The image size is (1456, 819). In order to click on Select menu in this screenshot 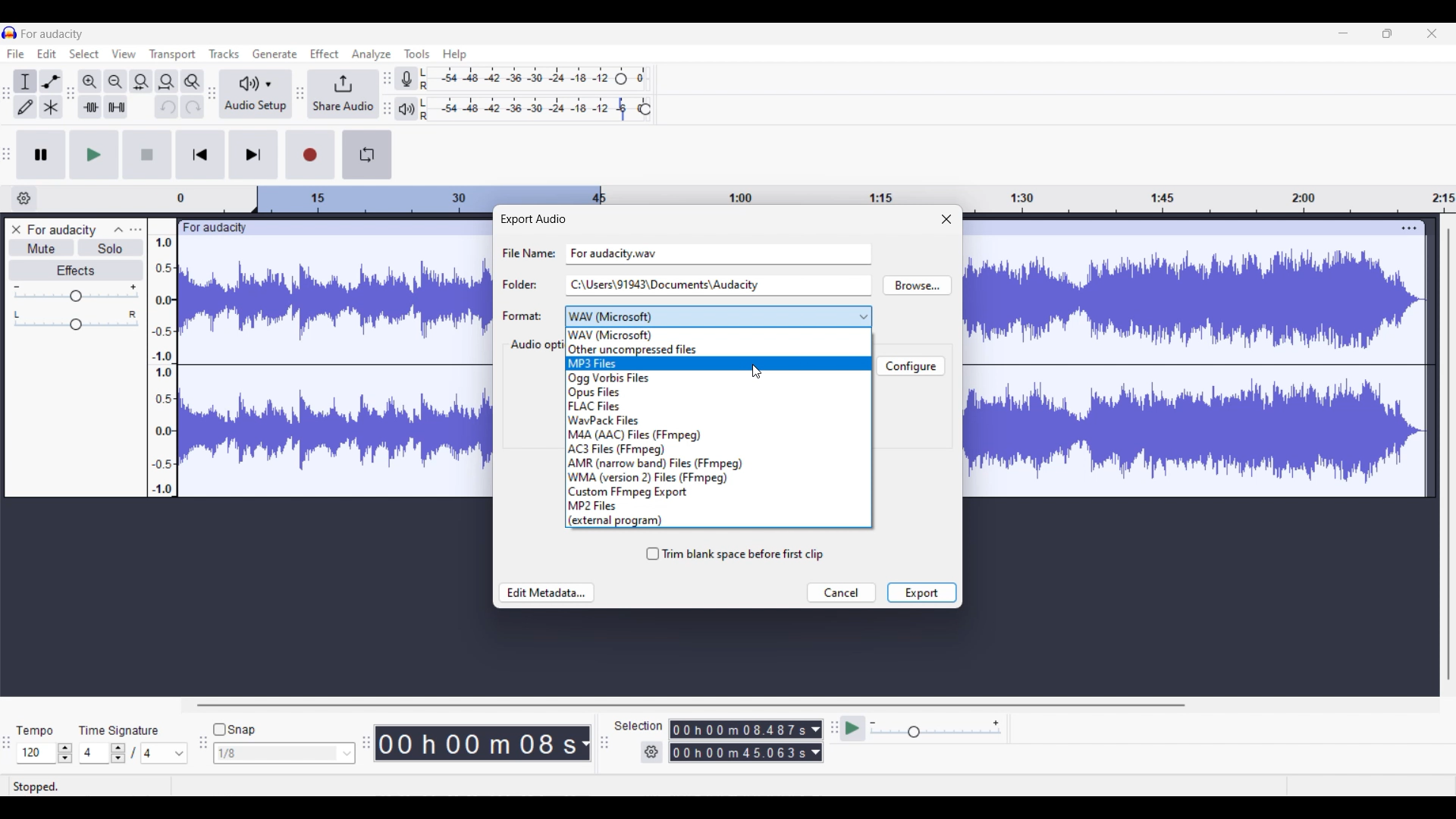, I will do `click(84, 54)`.